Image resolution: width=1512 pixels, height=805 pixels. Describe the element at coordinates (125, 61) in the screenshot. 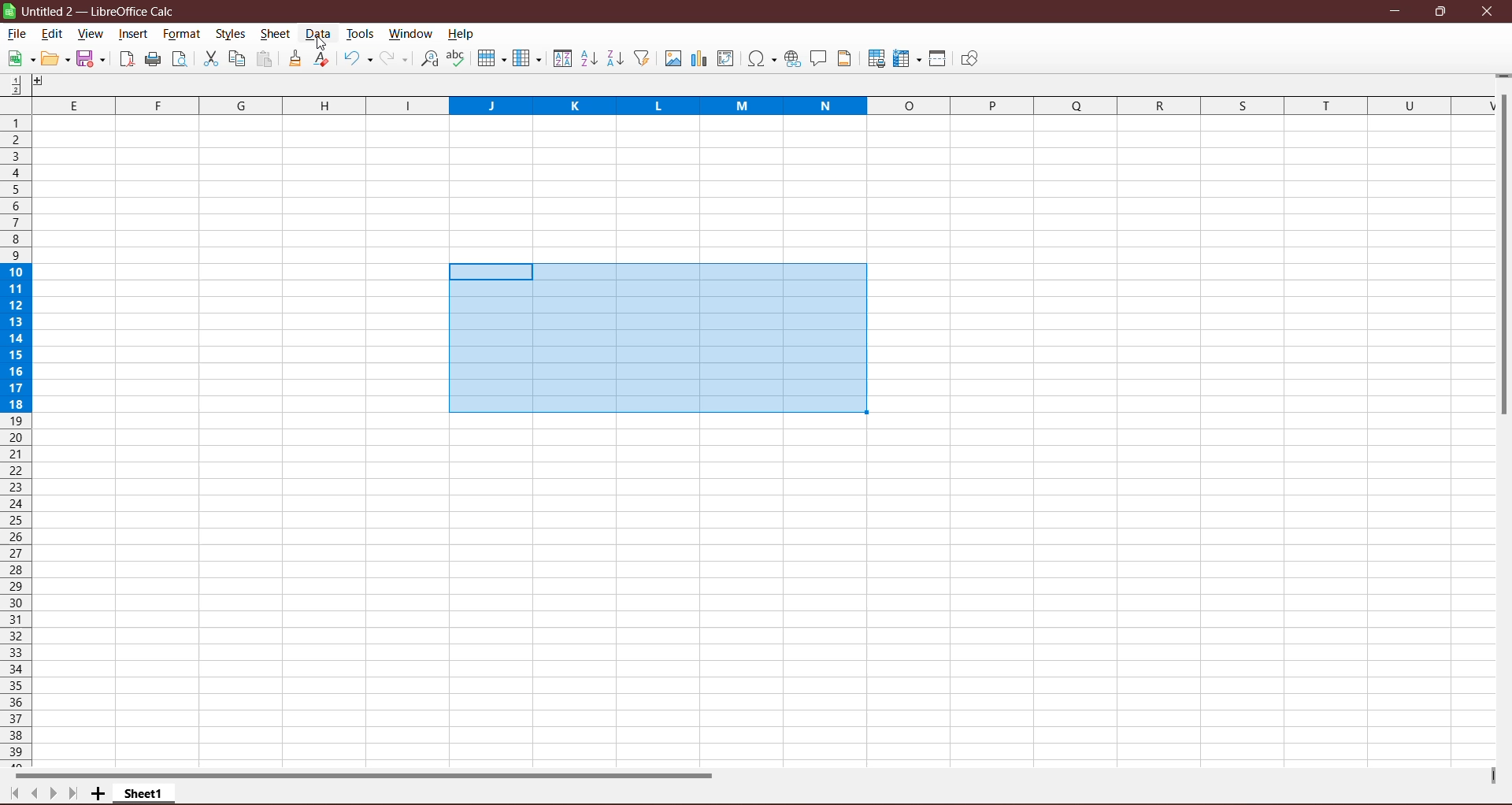

I see `Export directly as PDF` at that location.